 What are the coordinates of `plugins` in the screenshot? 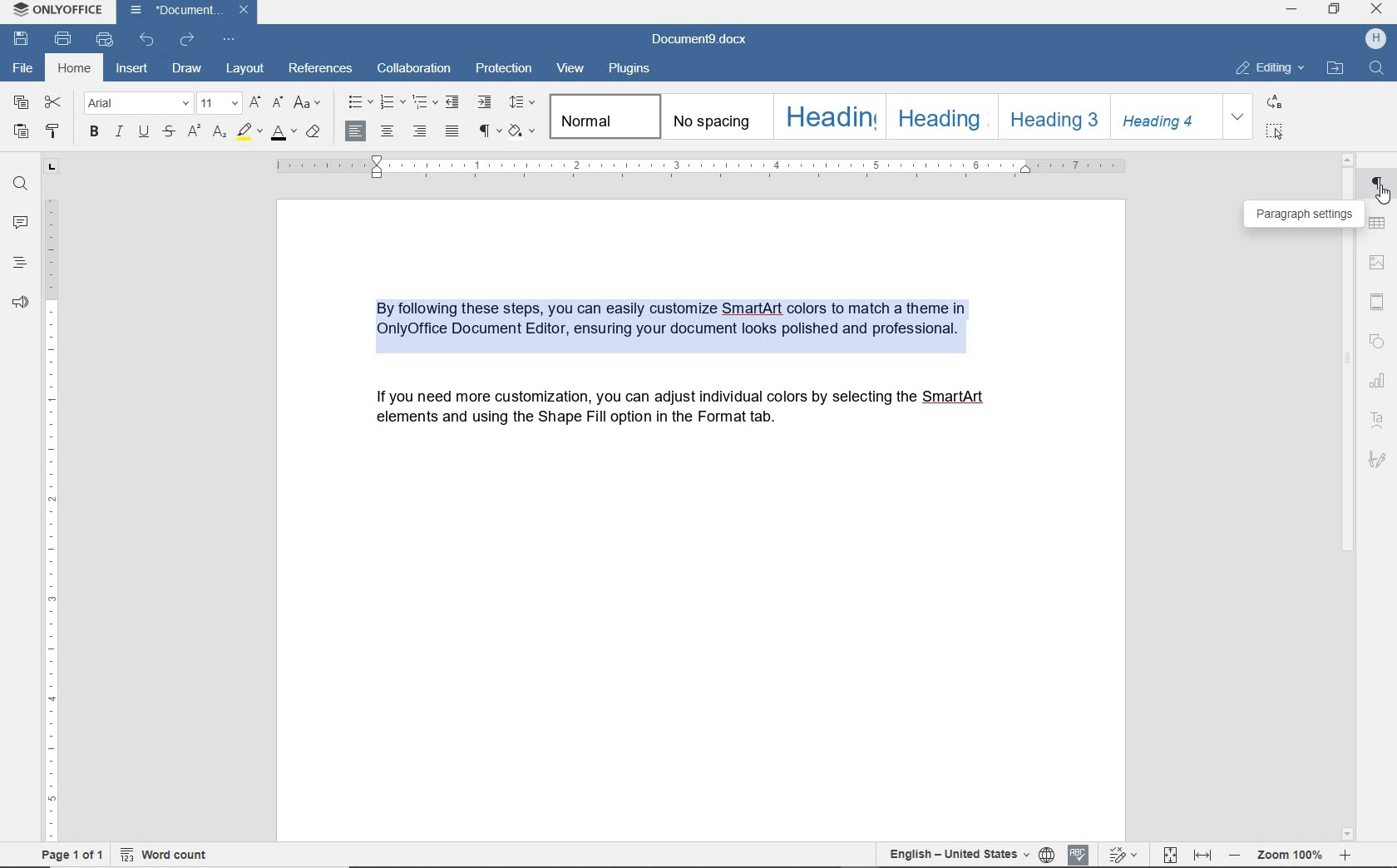 It's located at (636, 69).